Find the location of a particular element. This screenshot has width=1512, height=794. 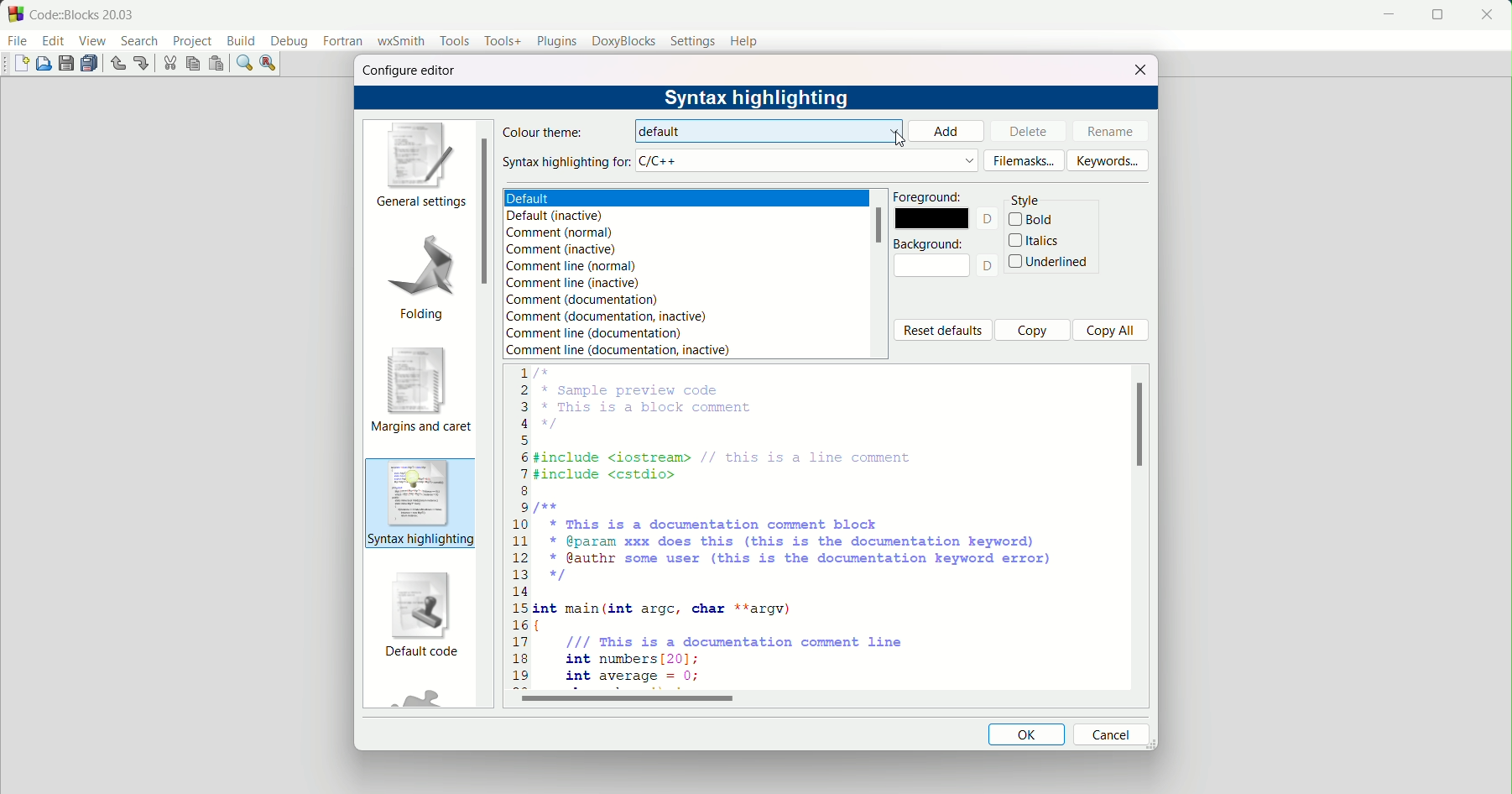

code is located at coordinates (797, 529).